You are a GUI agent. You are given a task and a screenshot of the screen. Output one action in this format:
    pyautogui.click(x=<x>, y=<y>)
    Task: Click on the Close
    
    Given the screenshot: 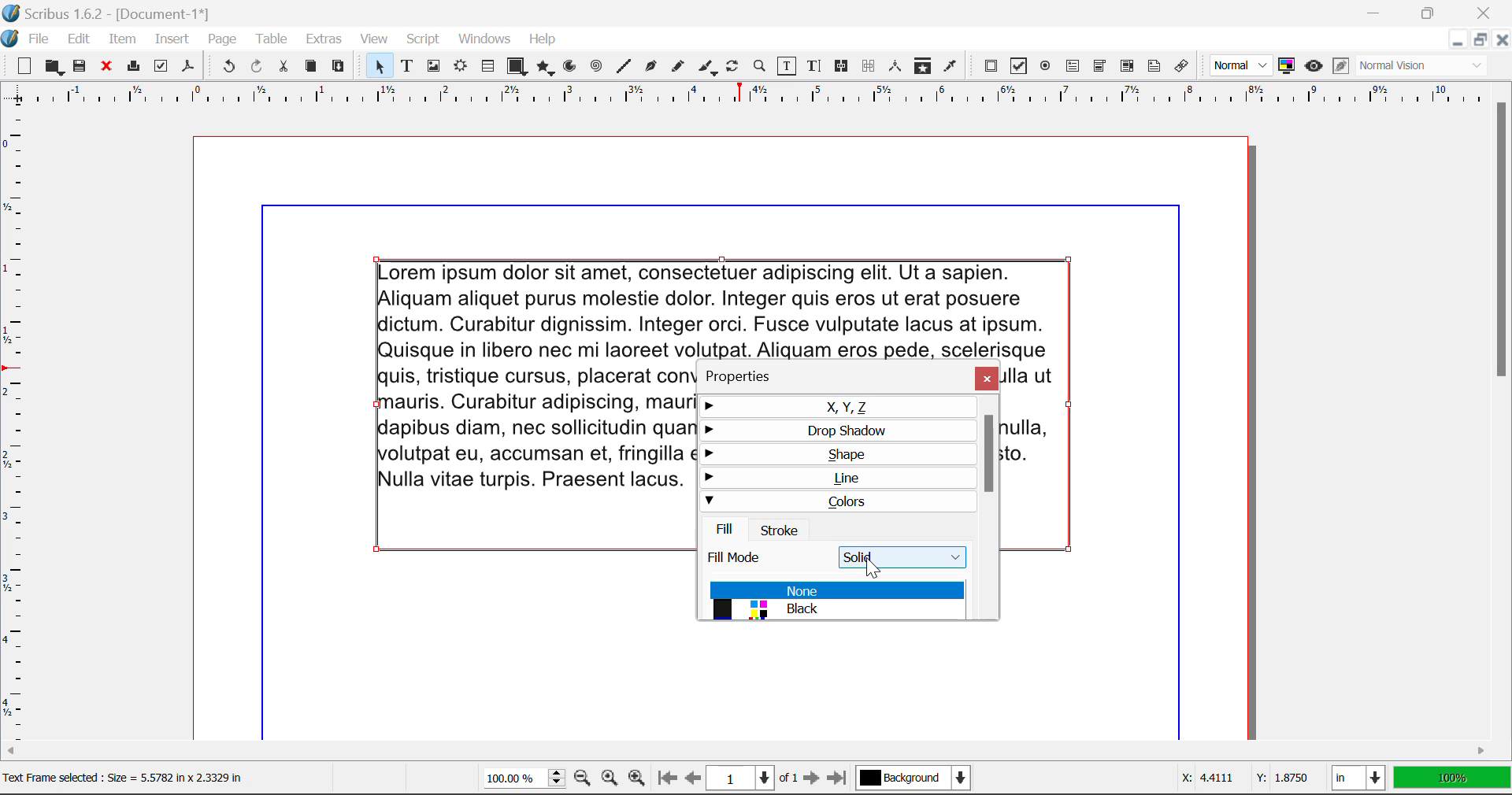 What is the action you would take?
    pyautogui.click(x=987, y=378)
    